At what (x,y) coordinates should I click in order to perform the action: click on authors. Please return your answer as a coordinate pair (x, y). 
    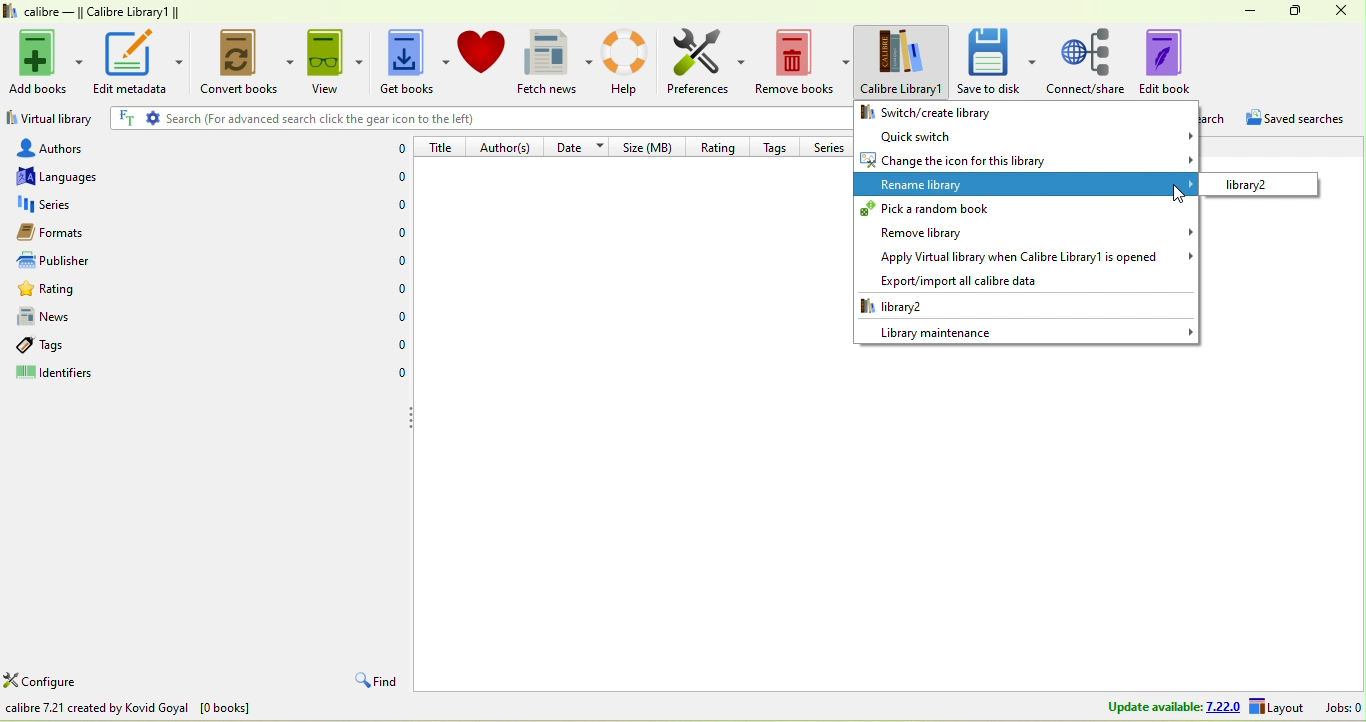
    Looking at the image, I should click on (69, 147).